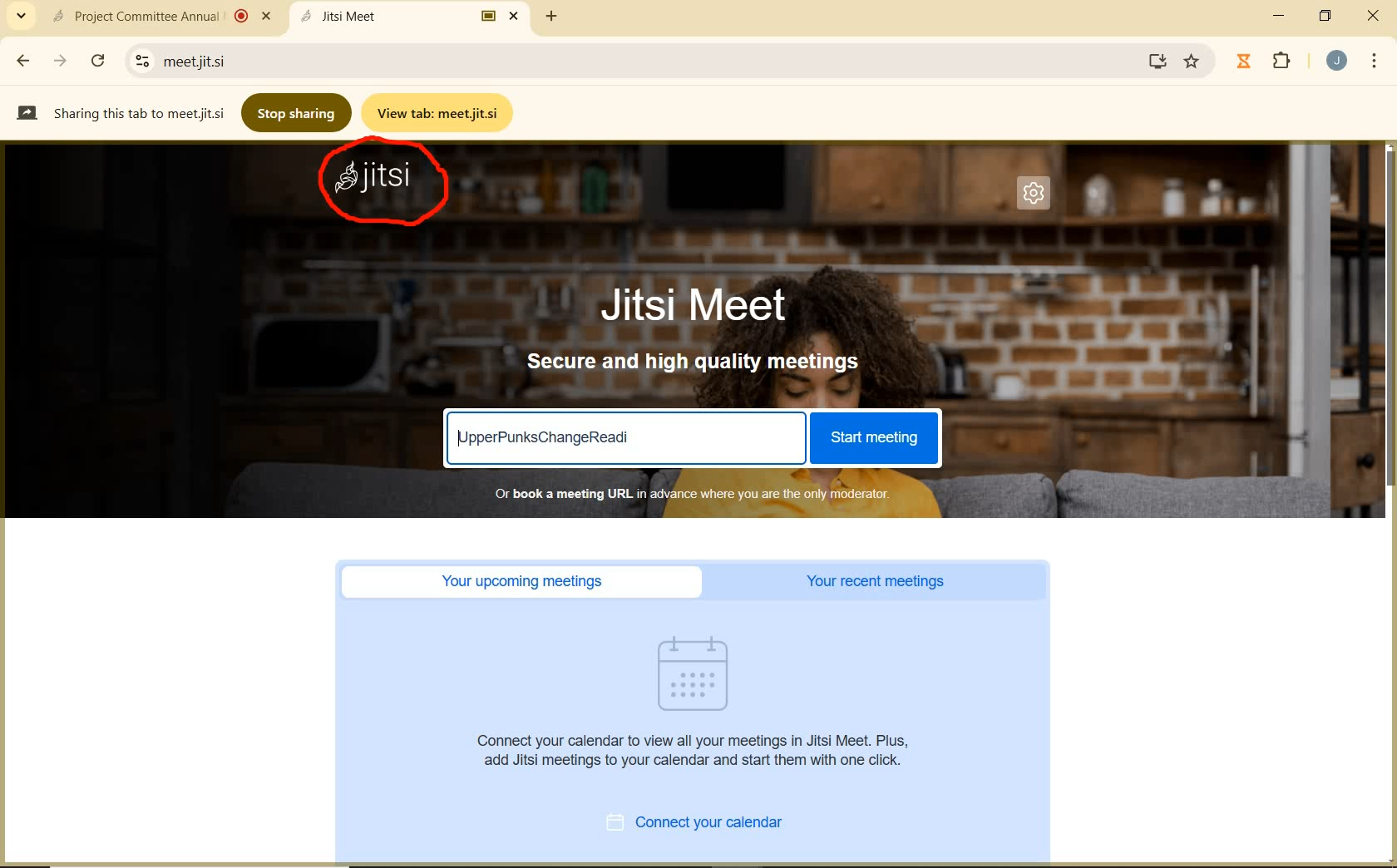 This screenshot has width=1397, height=868. I want to click on Or book a meeting URL in advance where you are the only moderator., so click(690, 493).